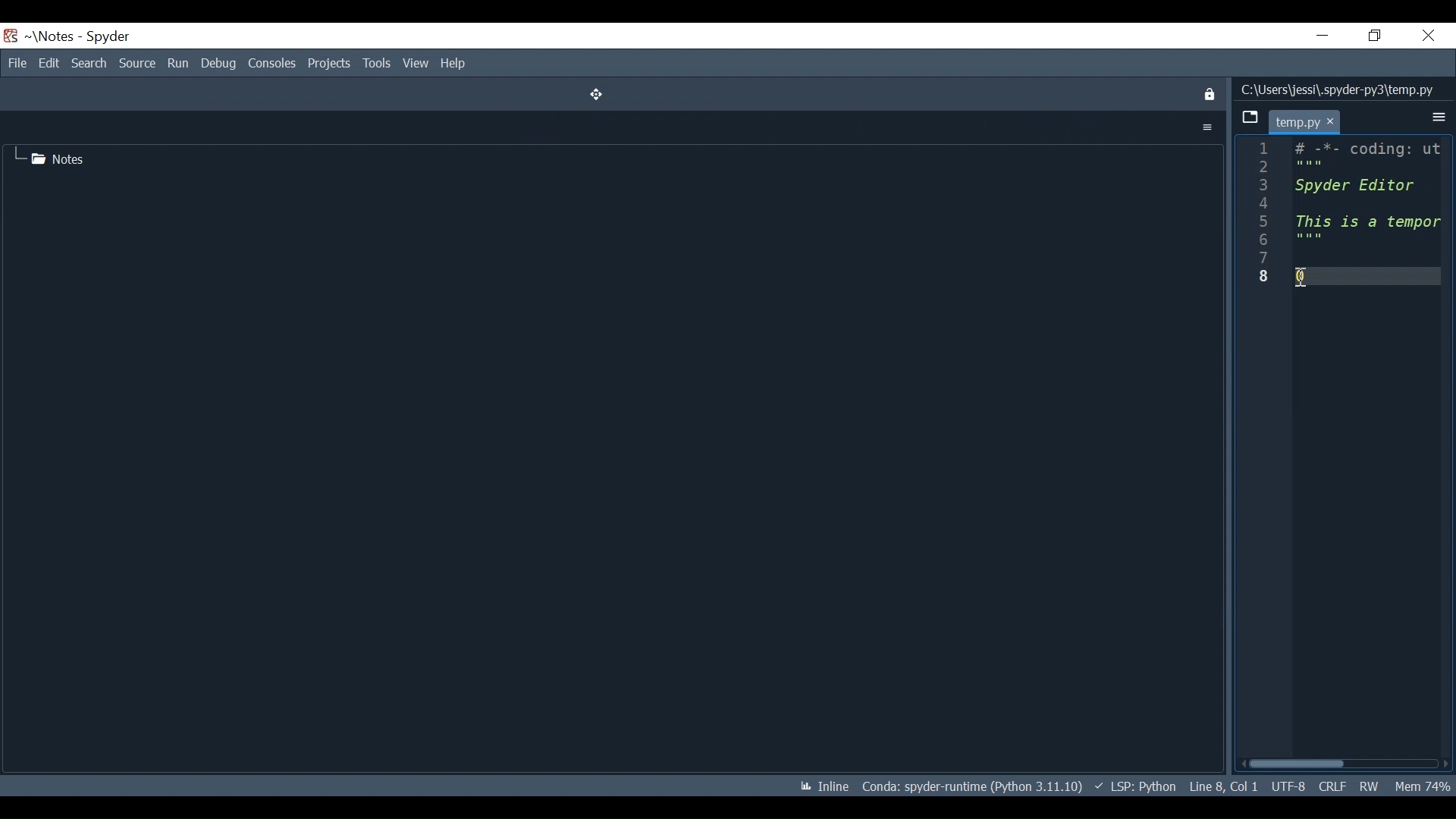  What do you see at coordinates (1348, 761) in the screenshot?
I see `Horizontal scroll bar` at bounding box center [1348, 761].